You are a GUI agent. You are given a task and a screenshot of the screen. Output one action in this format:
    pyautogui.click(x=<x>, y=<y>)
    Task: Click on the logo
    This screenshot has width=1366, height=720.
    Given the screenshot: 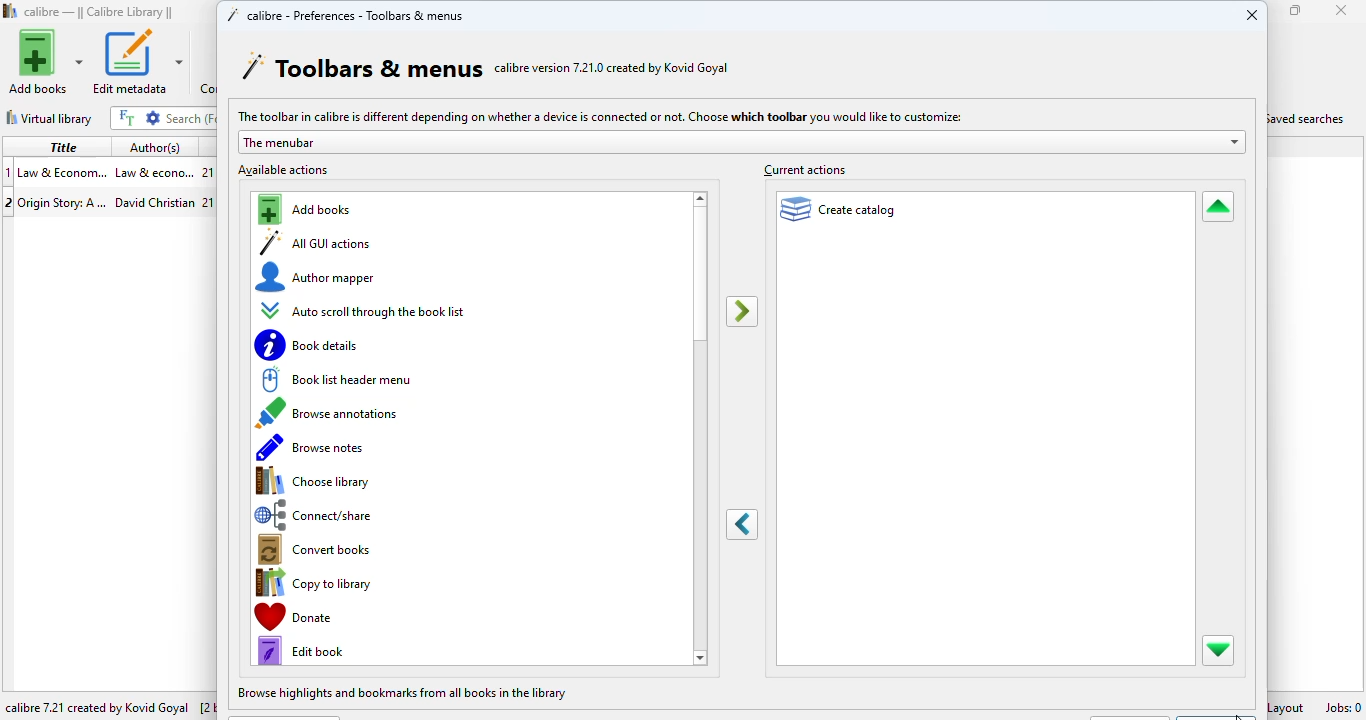 What is the action you would take?
    pyautogui.click(x=11, y=10)
    